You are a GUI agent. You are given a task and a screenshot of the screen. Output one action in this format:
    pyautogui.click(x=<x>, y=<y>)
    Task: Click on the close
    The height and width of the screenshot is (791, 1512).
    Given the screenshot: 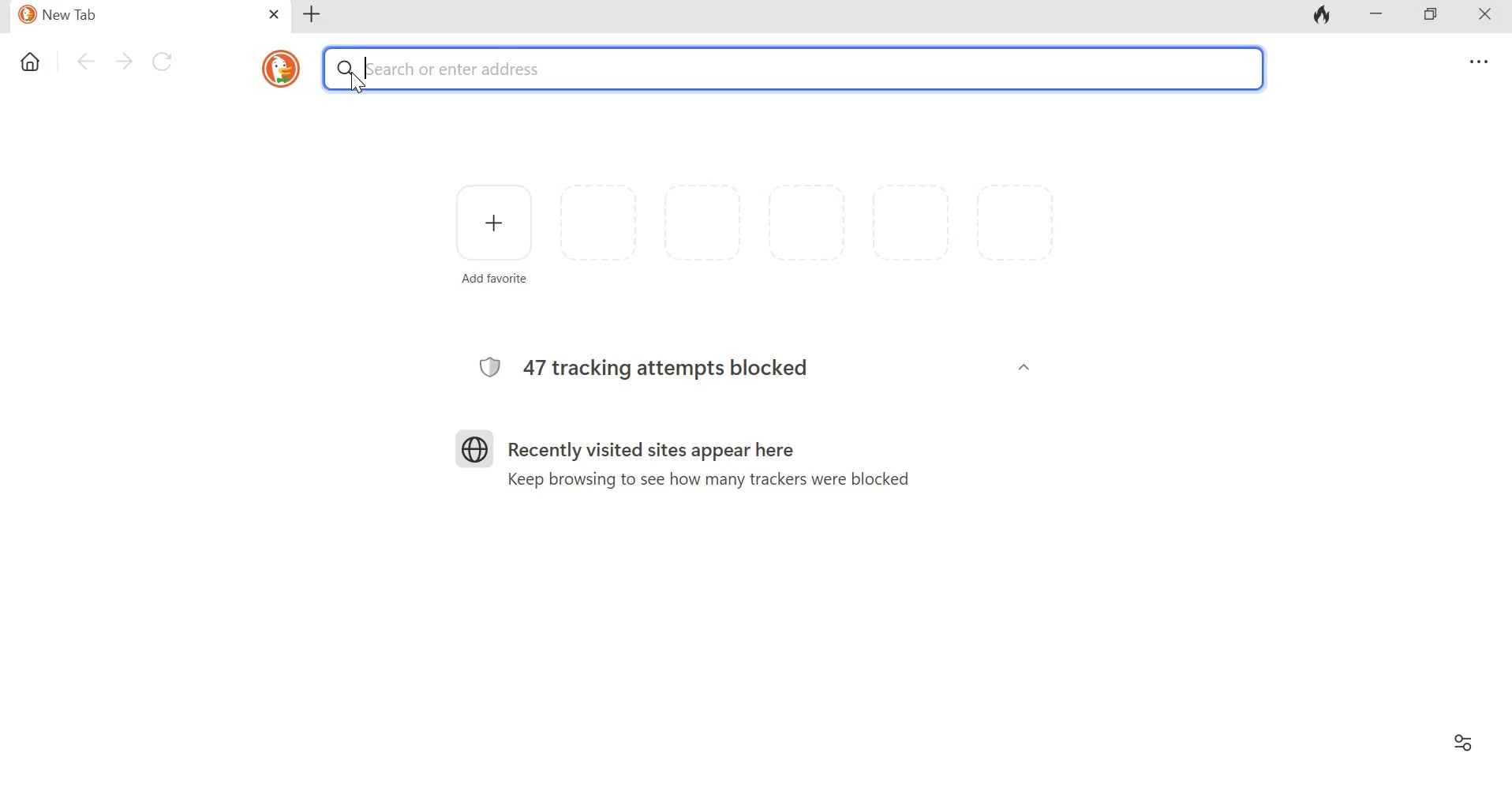 What is the action you would take?
    pyautogui.click(x=272, y=13)
    